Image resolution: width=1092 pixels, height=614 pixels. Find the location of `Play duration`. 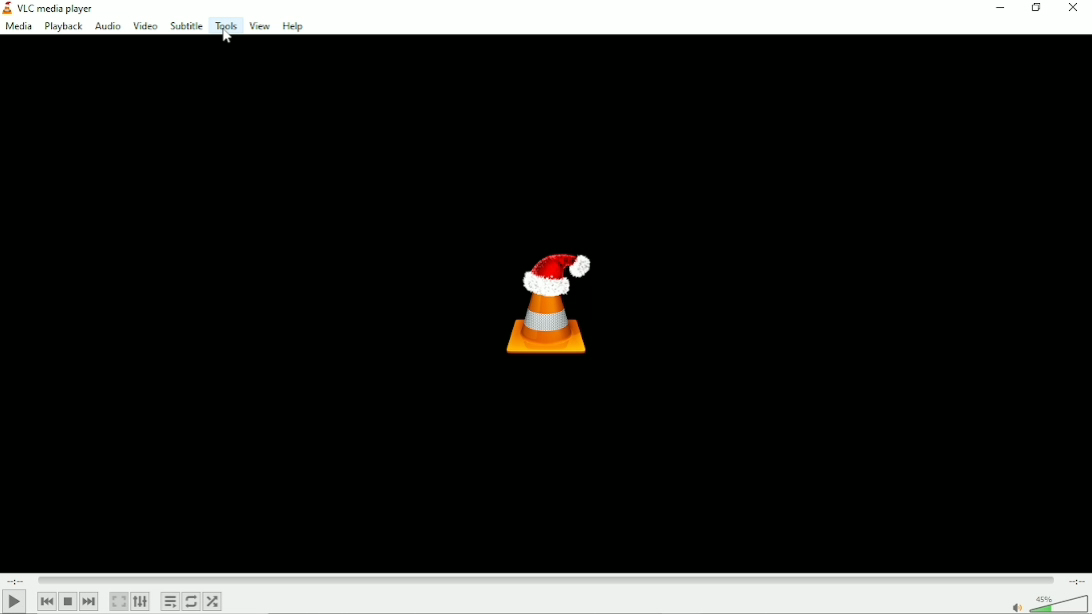

Play duration is located at coordinates (548, 580).